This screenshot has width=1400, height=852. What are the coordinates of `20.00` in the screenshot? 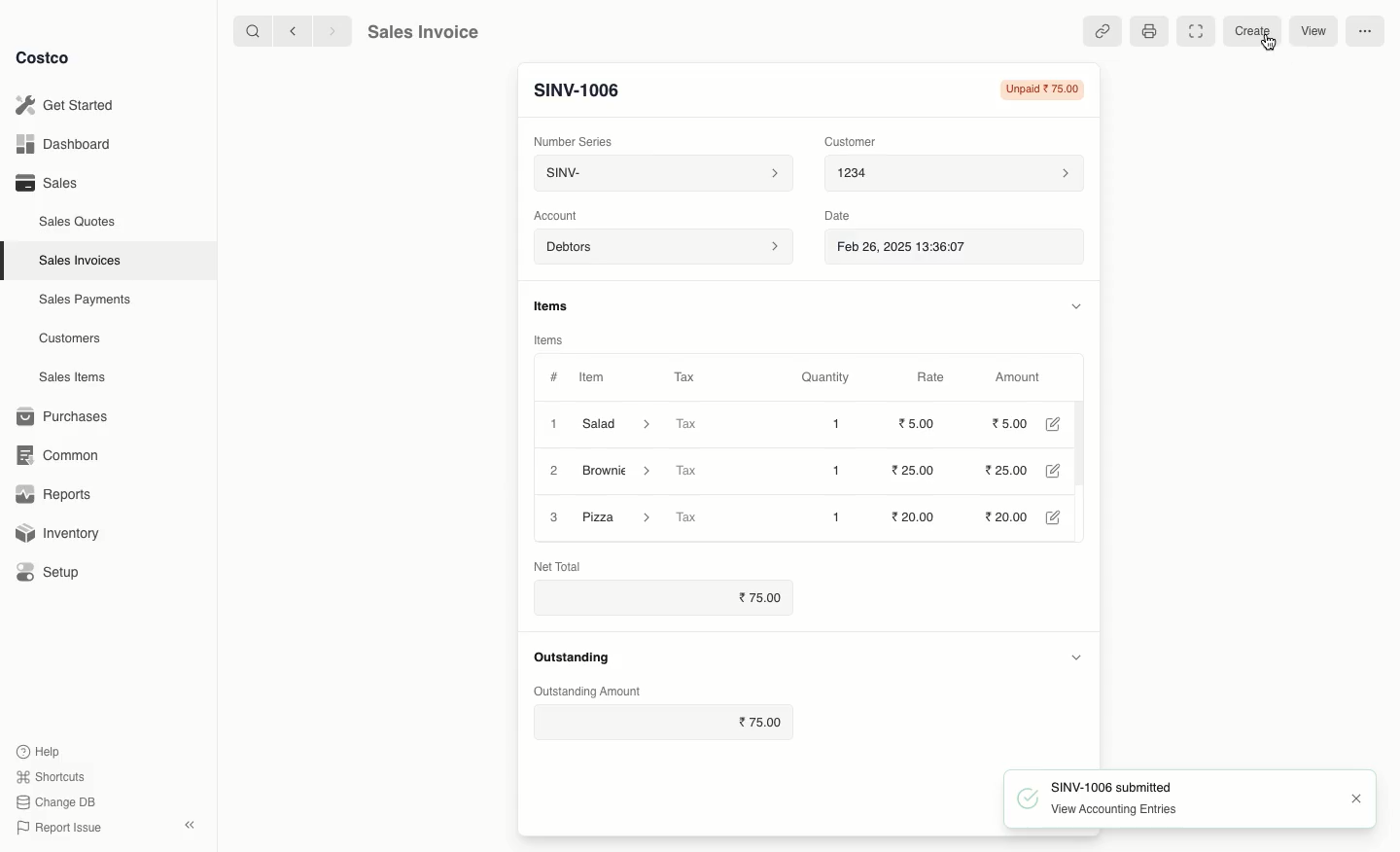 It's located at (1005, 518).